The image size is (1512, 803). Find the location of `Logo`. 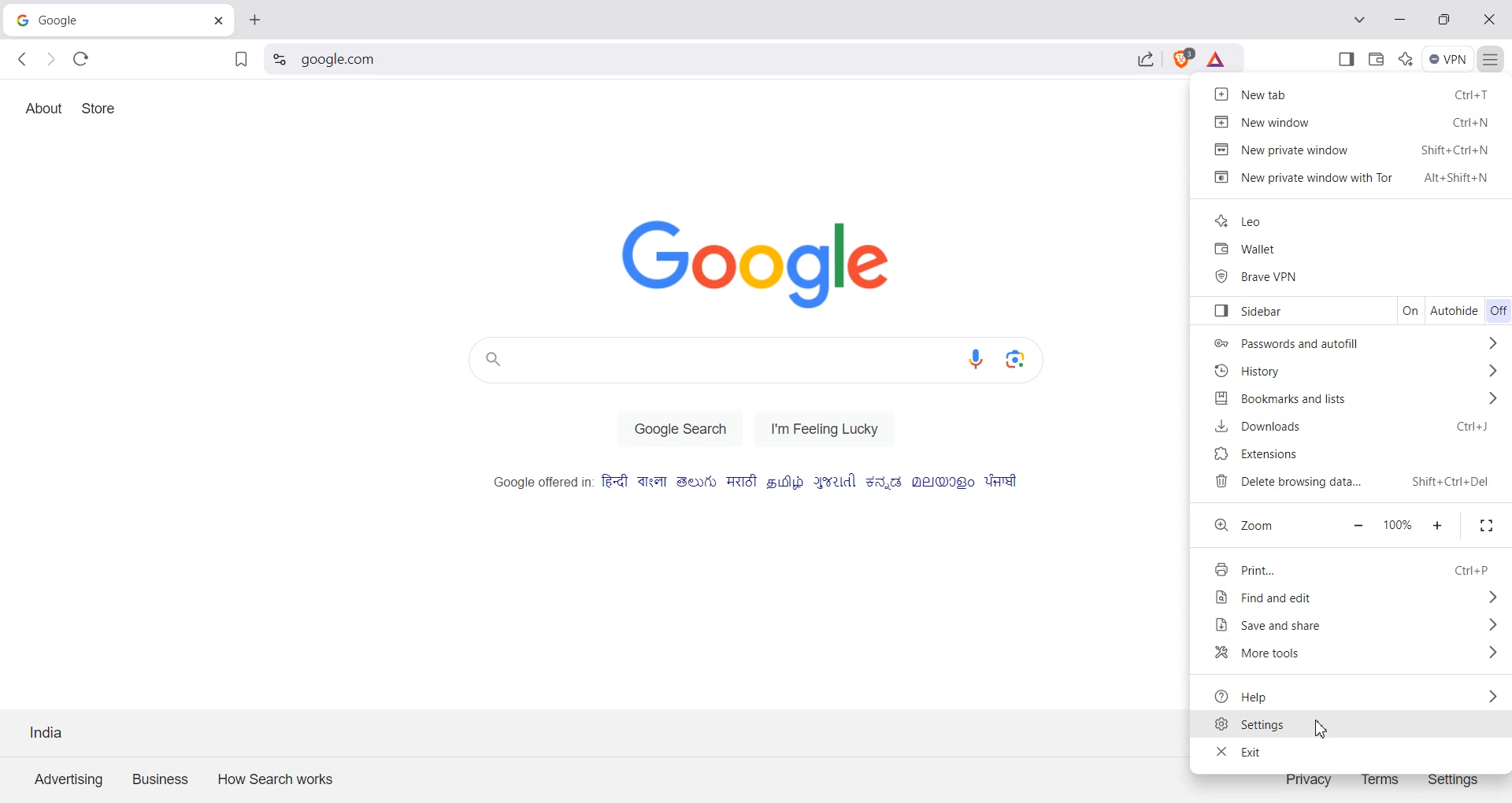

Logo is located at coordinates (770, 263).